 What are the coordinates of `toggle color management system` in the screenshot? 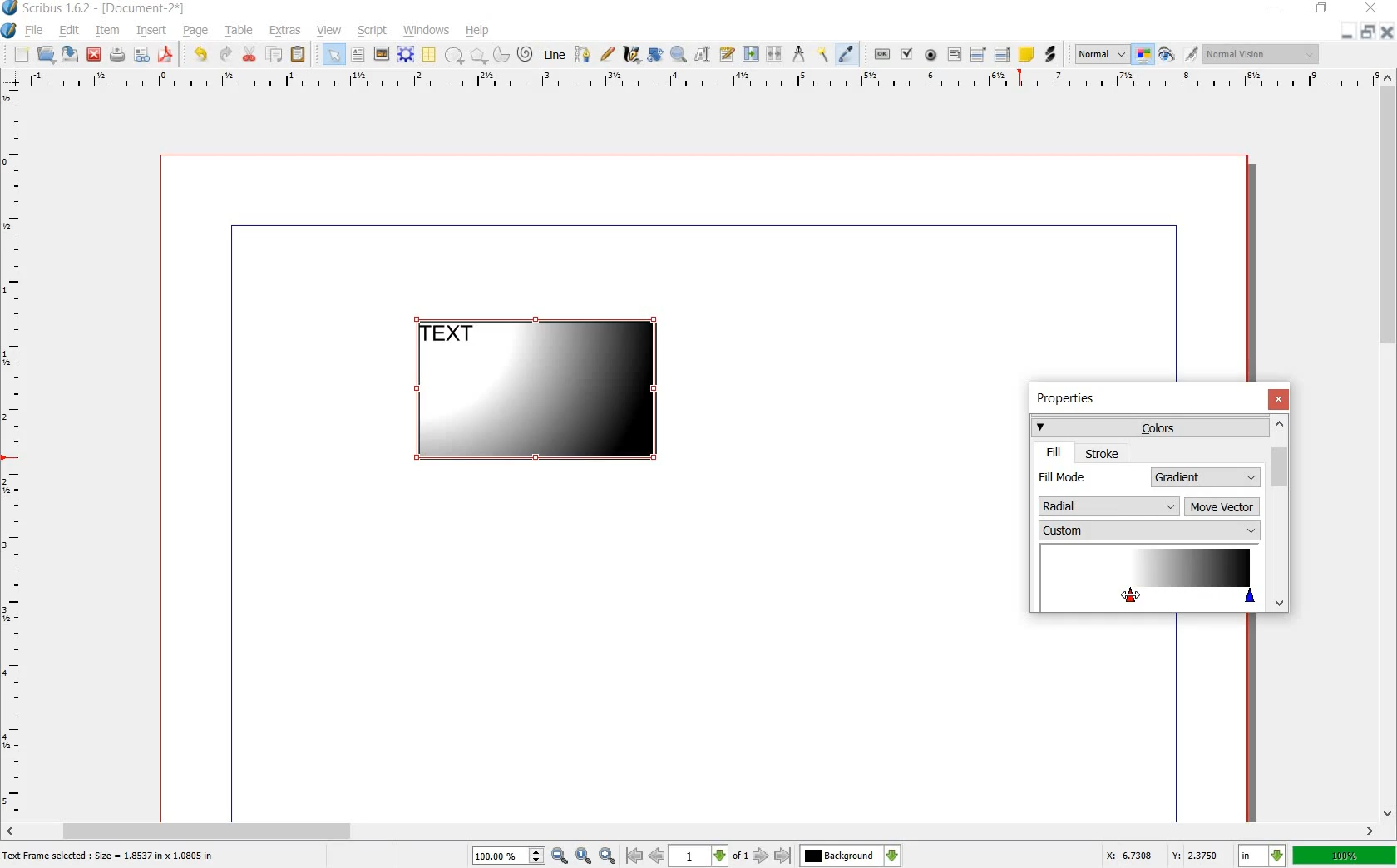 It's located at (1144, 55).